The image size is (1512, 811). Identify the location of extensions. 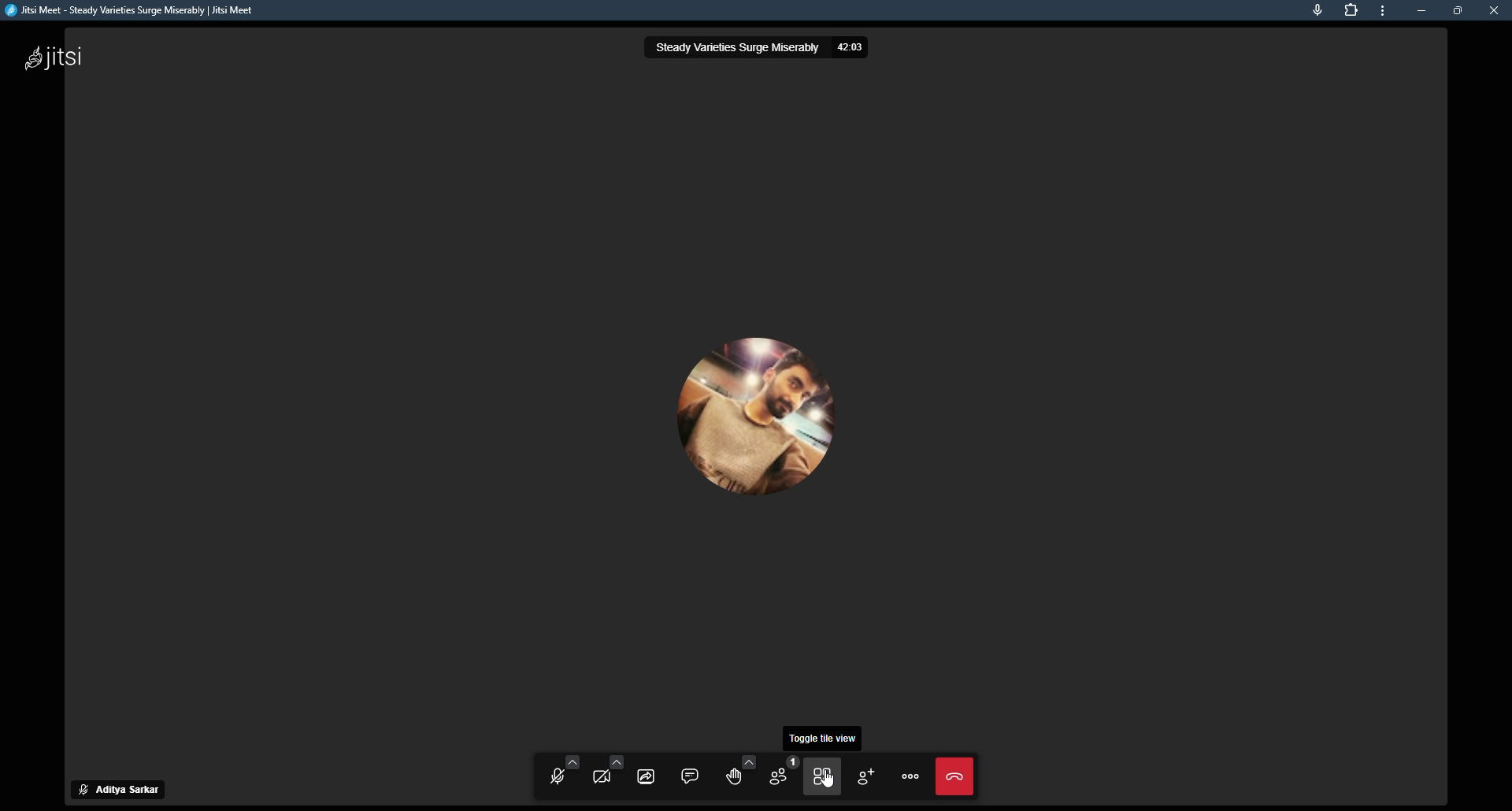
(1352, 11).